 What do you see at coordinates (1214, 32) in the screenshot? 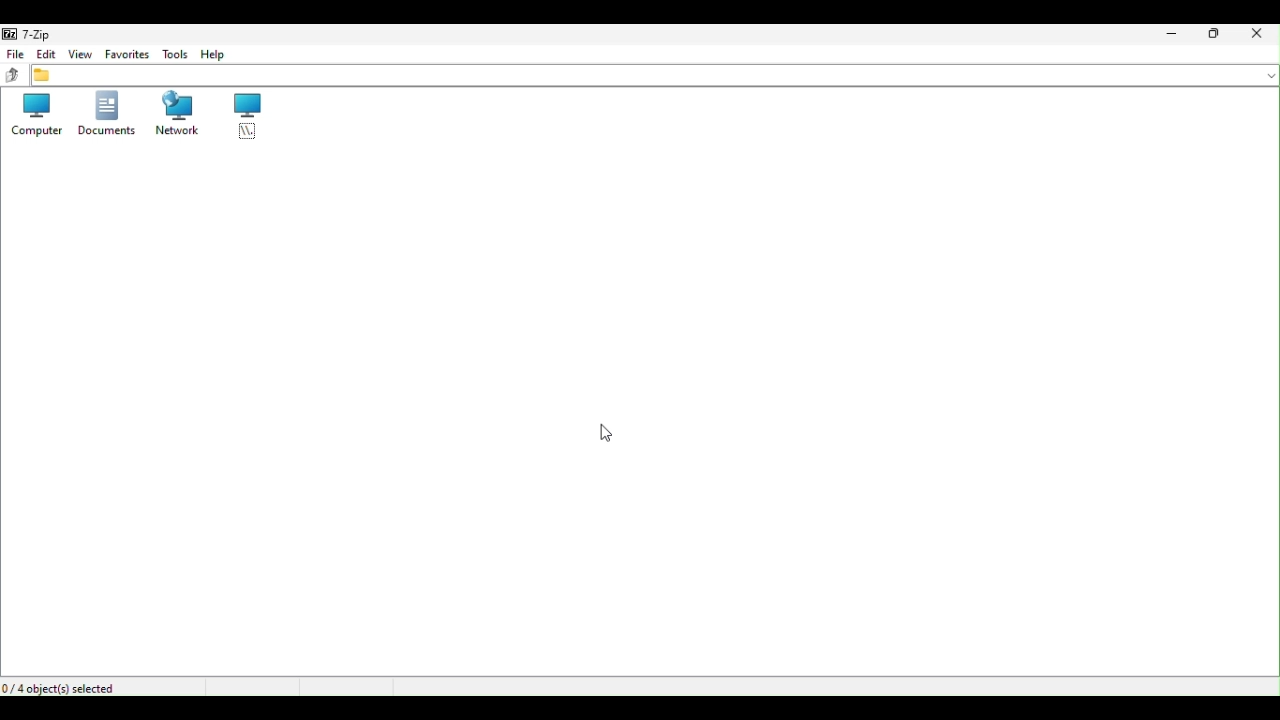
I see `Restore` at bounding box center [1214, 32].